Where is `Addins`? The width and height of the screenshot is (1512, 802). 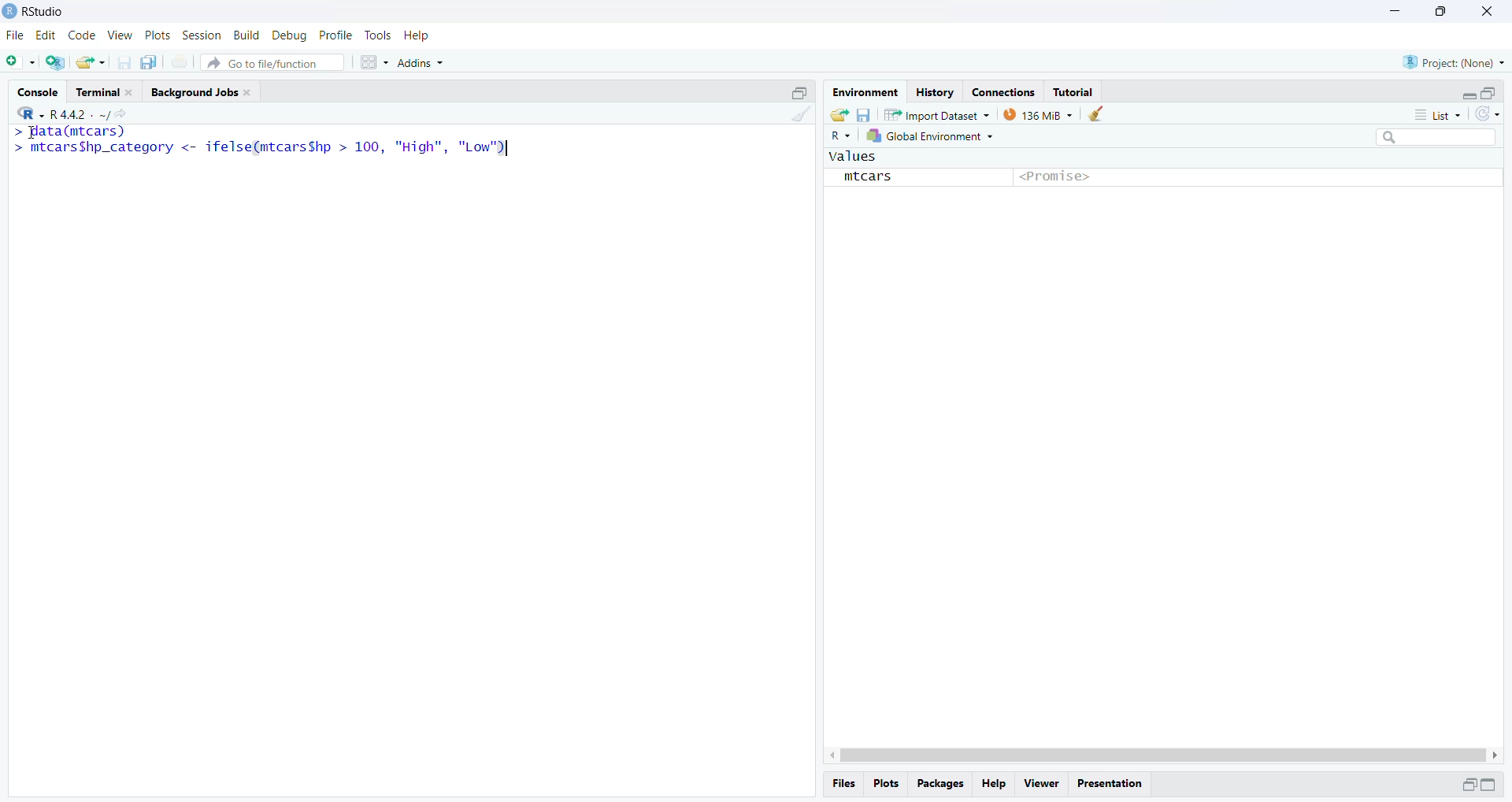
Addins is located at coordinates (425, 59).